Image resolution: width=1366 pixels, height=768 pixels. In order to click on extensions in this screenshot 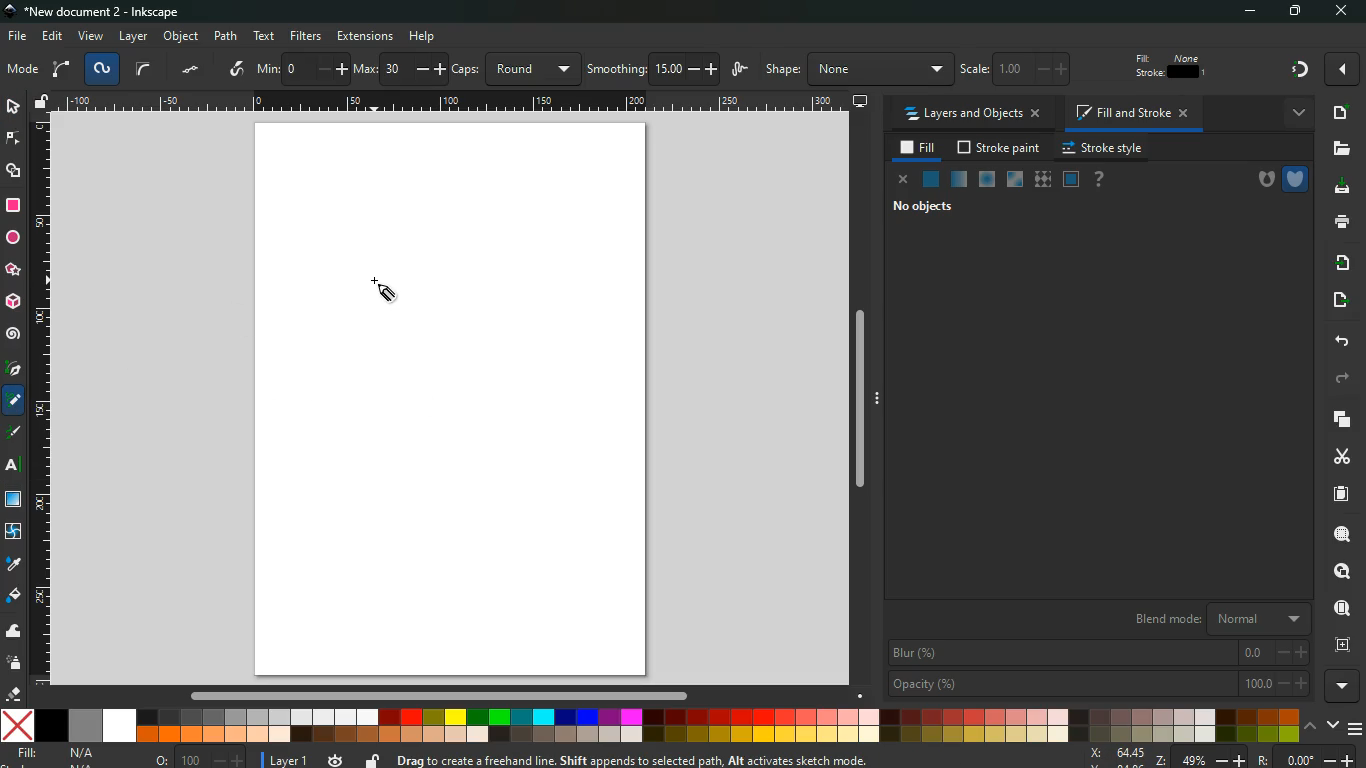, I will do `click(365, 35)`.